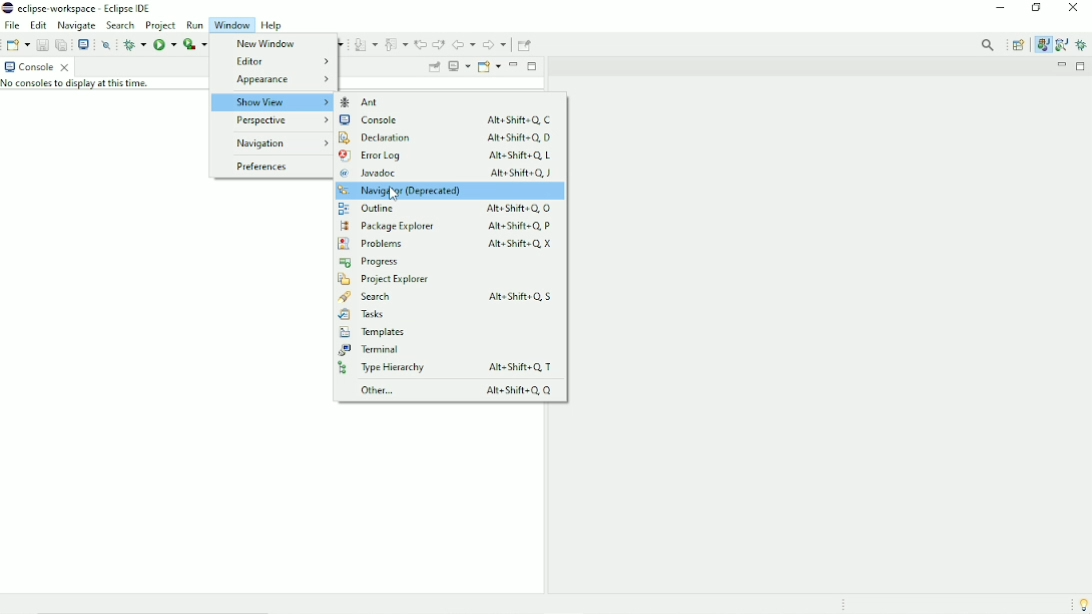  What do you see at coordinates (108, 45) in the screenshot?
I see `Skip all breakpoints` at bounding box center [108, 45].